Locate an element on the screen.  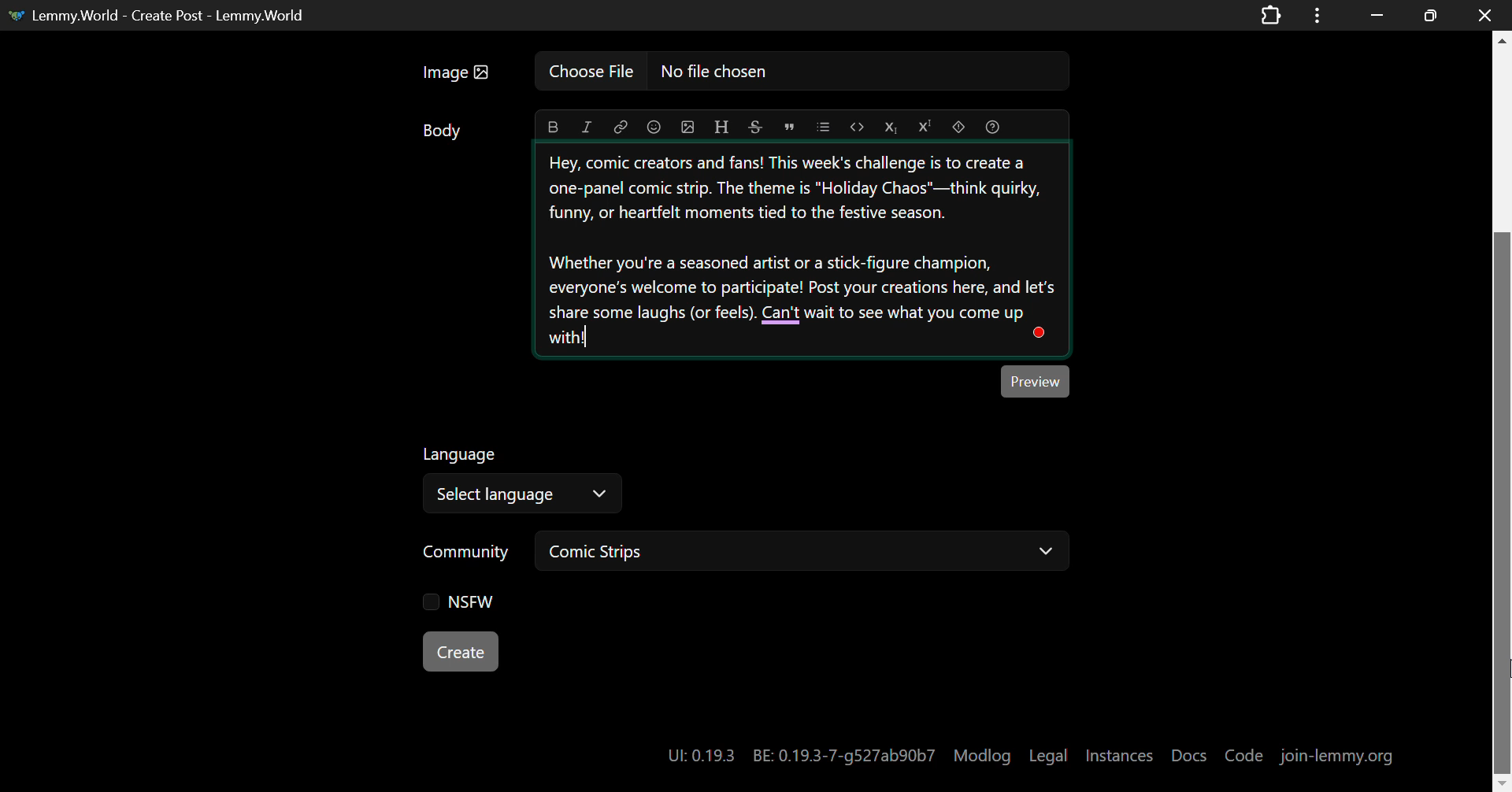
Formatting Help is located at coordinates (996, 126).